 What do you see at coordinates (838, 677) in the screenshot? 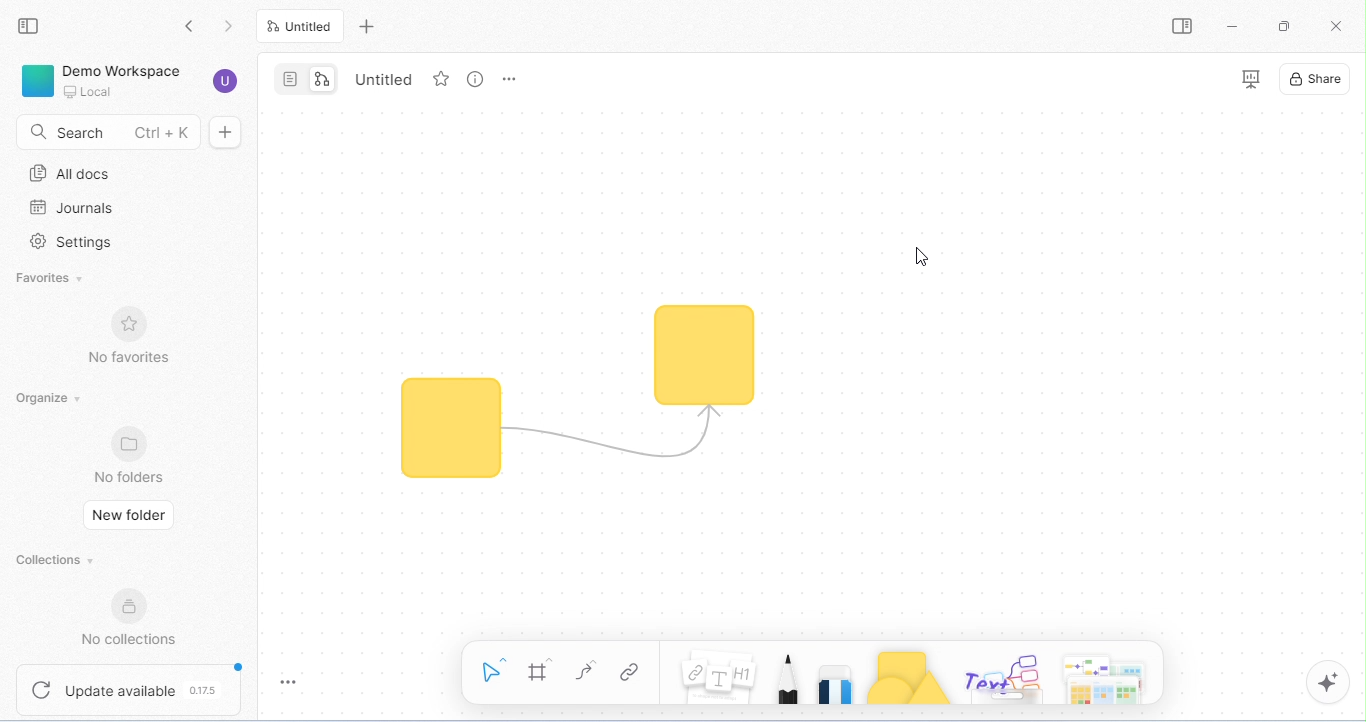
I see `eraser` at bounding box center [838, 677].